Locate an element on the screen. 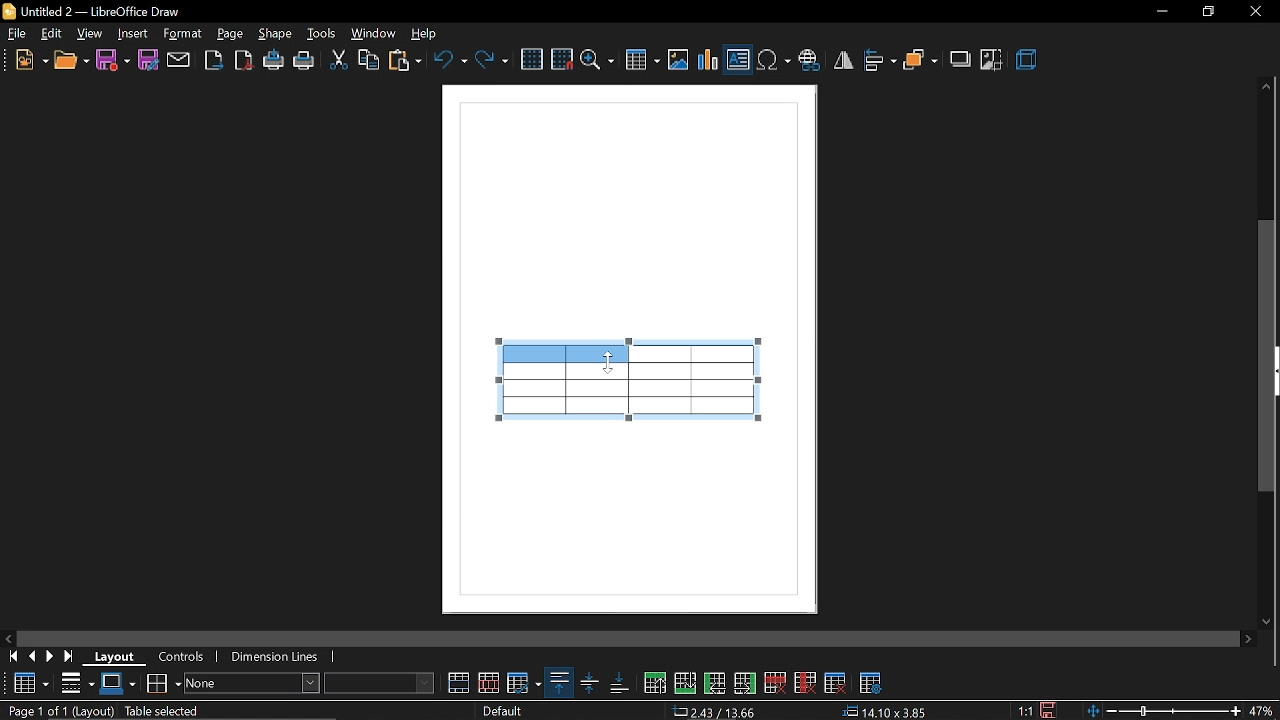 Image resolution: width=1280 pixels, height=720 pixels. align top is located at coordinates (558, 682).